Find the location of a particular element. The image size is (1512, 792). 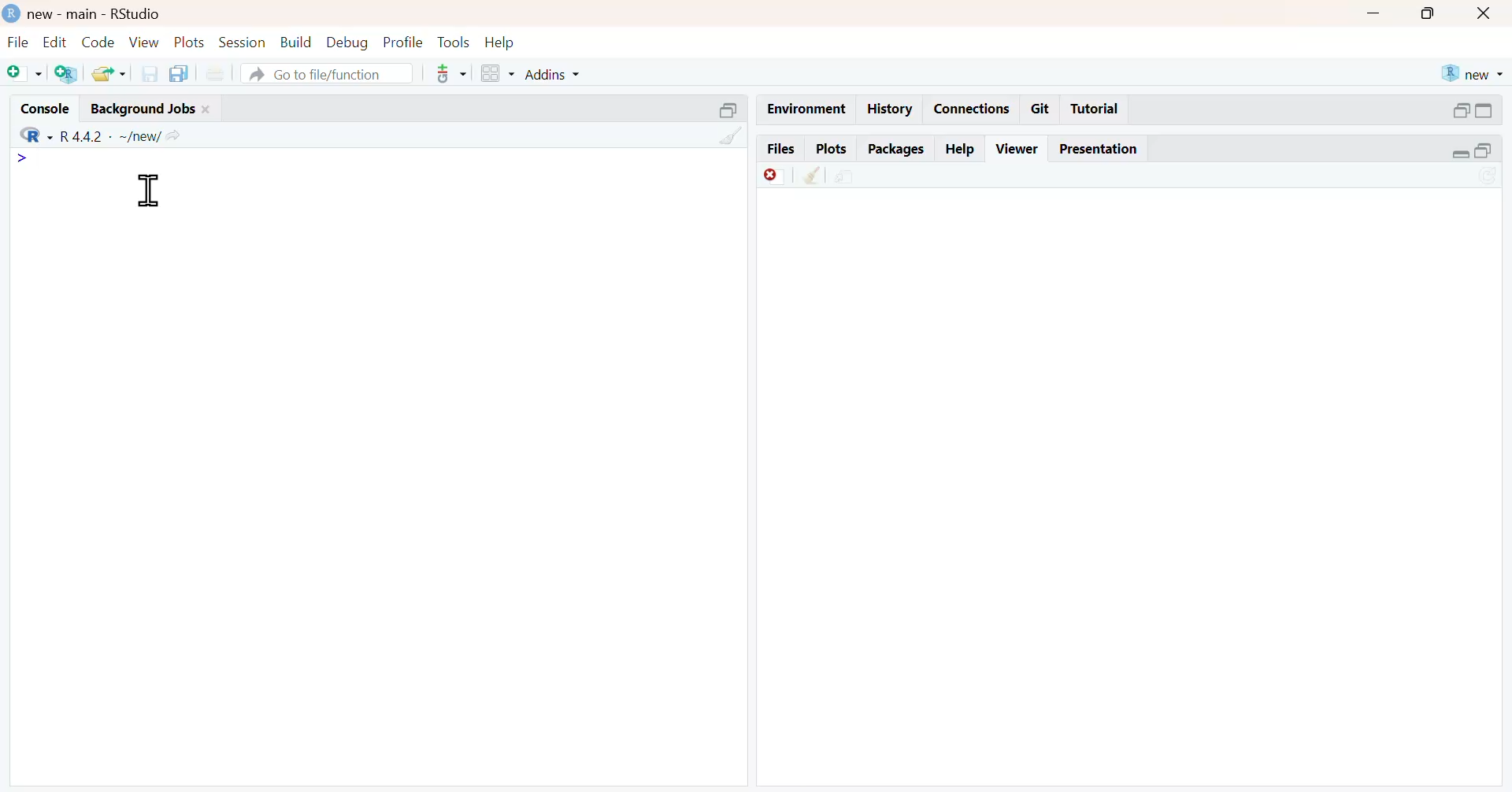

addins is located at coordinates (558, 73).